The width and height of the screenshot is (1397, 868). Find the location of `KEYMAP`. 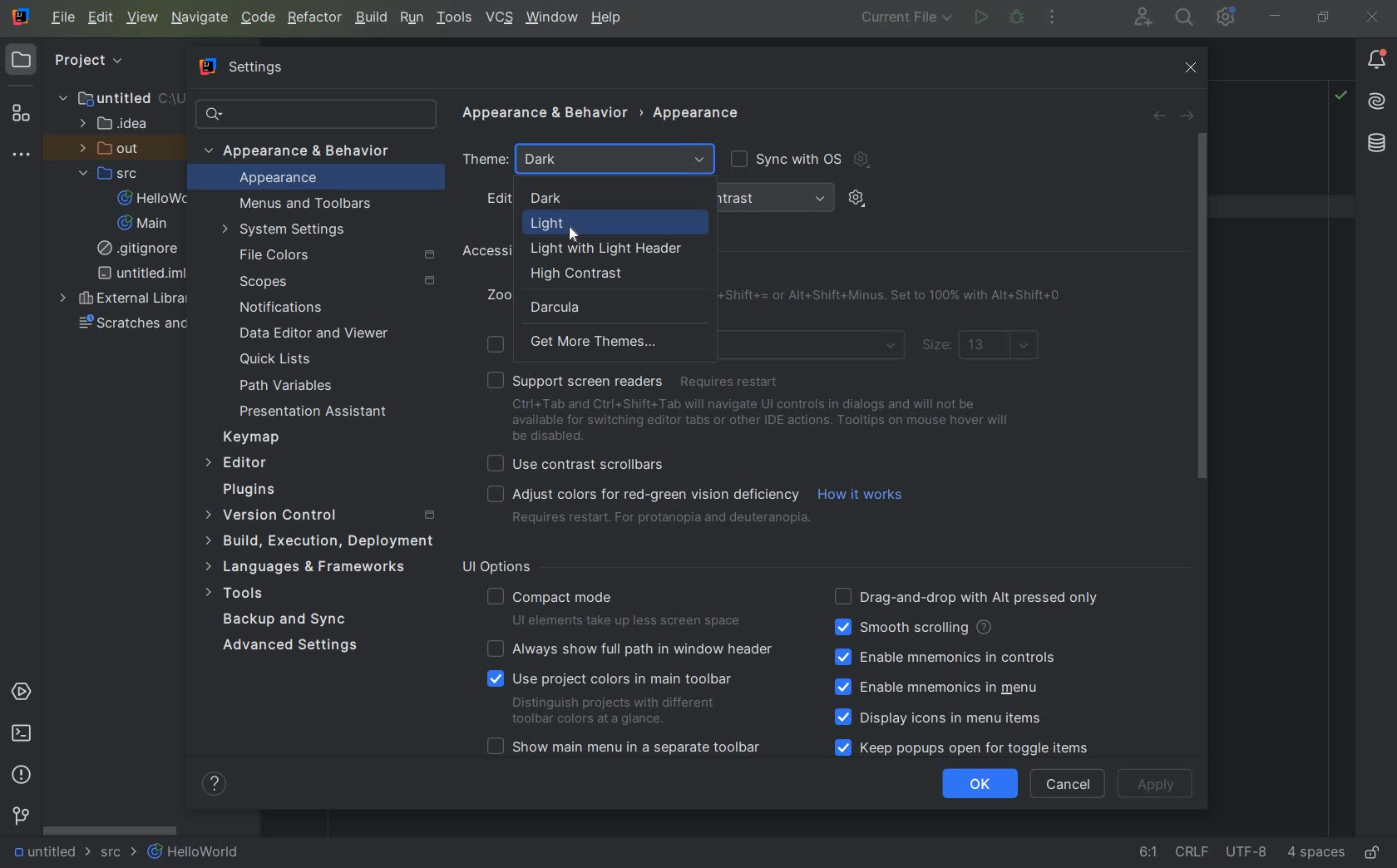

KEYMAP is located at coordinates (256, 436).